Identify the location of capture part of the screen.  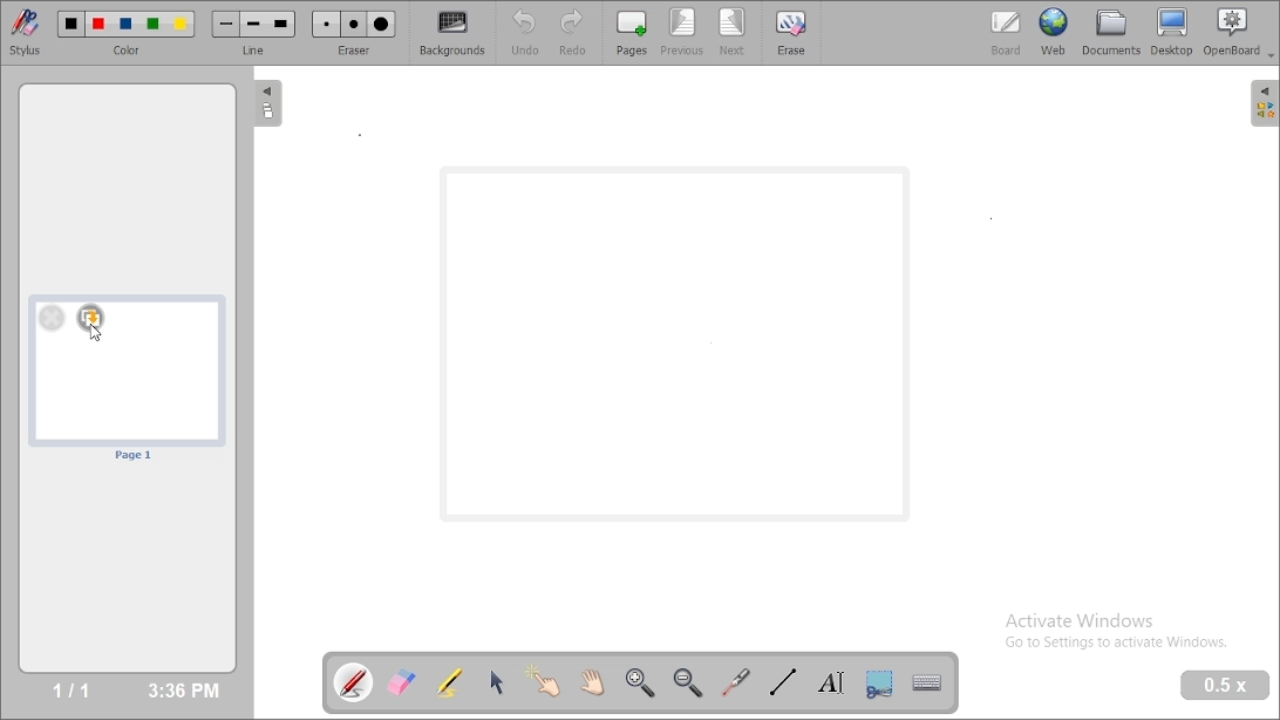
(879, 683).